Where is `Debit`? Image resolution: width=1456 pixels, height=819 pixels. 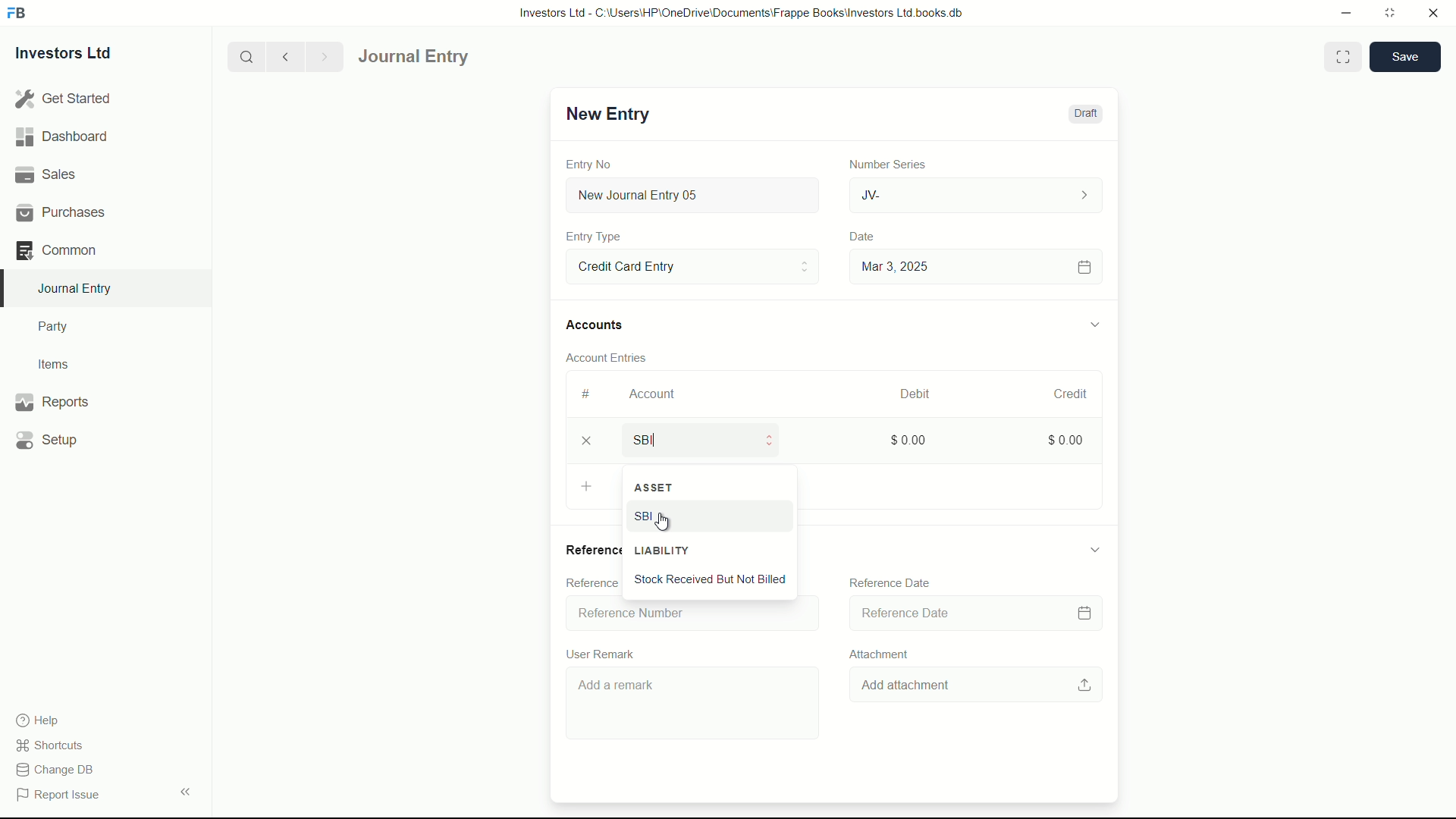
Debit is located at coordinates (908, 394).